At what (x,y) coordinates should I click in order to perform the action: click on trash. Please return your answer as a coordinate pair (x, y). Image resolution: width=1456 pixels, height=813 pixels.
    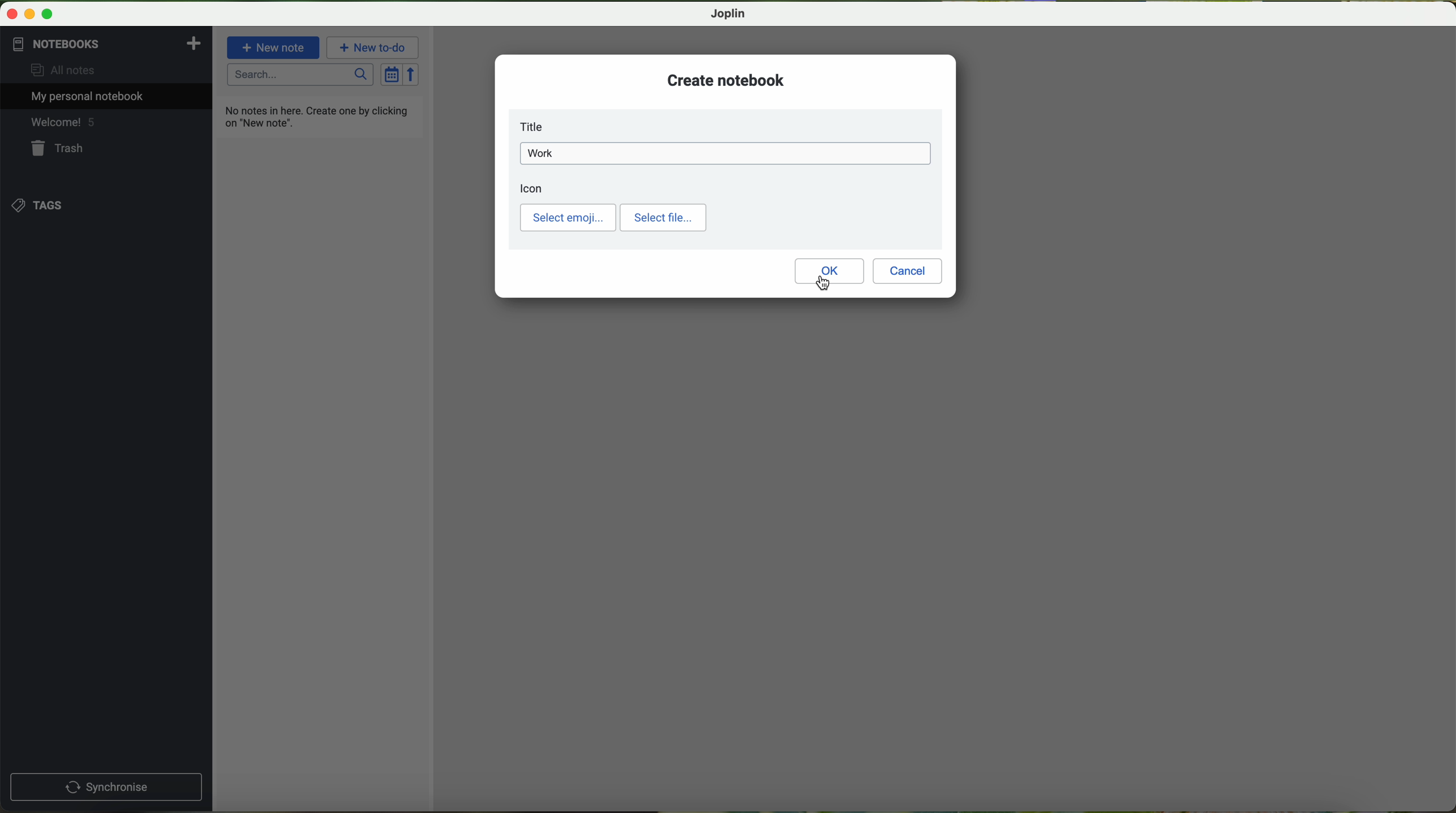
    Looking at the image, I should click on (58, 150).